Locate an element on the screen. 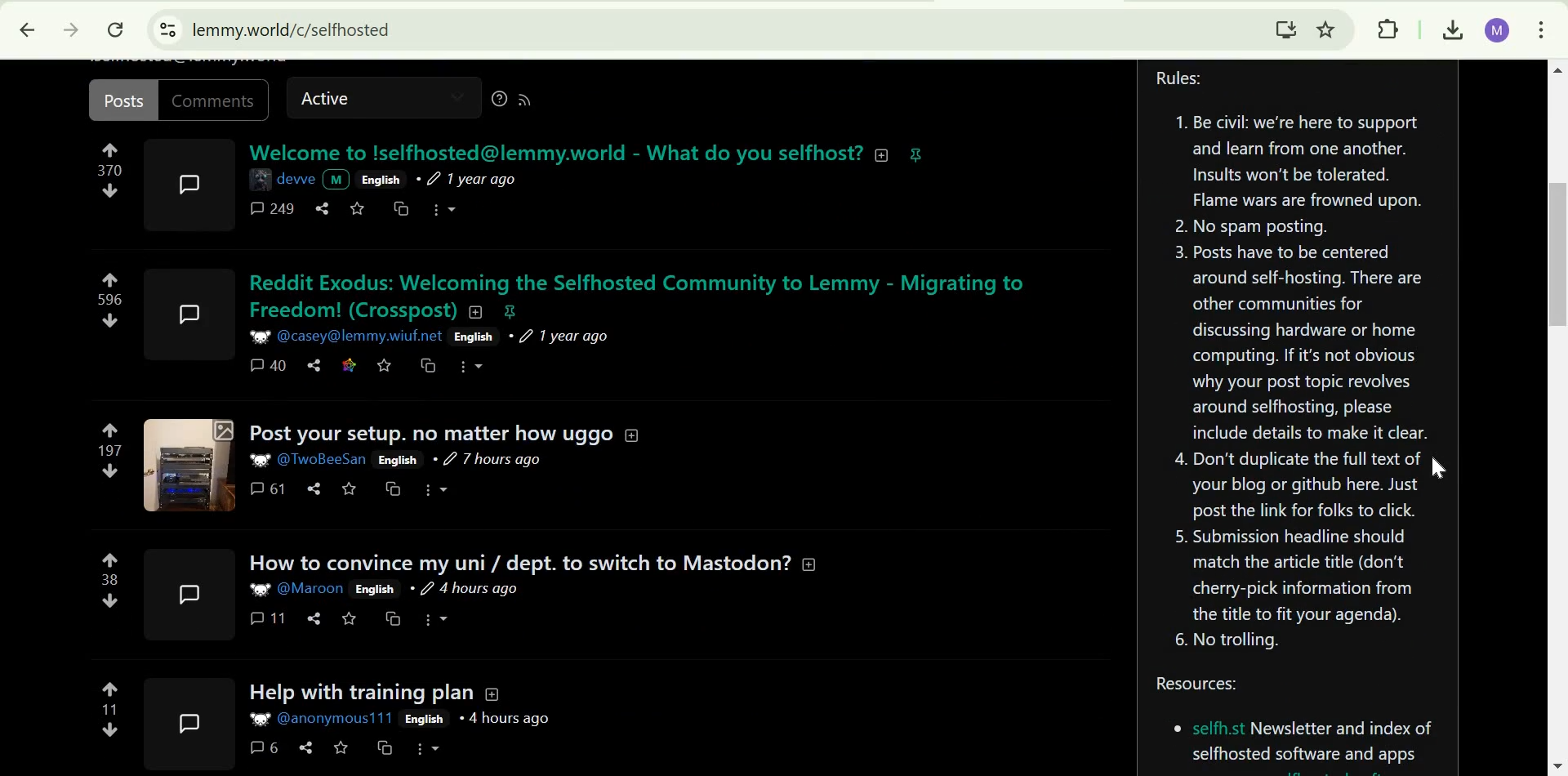 This screenshot has width=1568, height=776. RSS is located at coordinates (532, 100).